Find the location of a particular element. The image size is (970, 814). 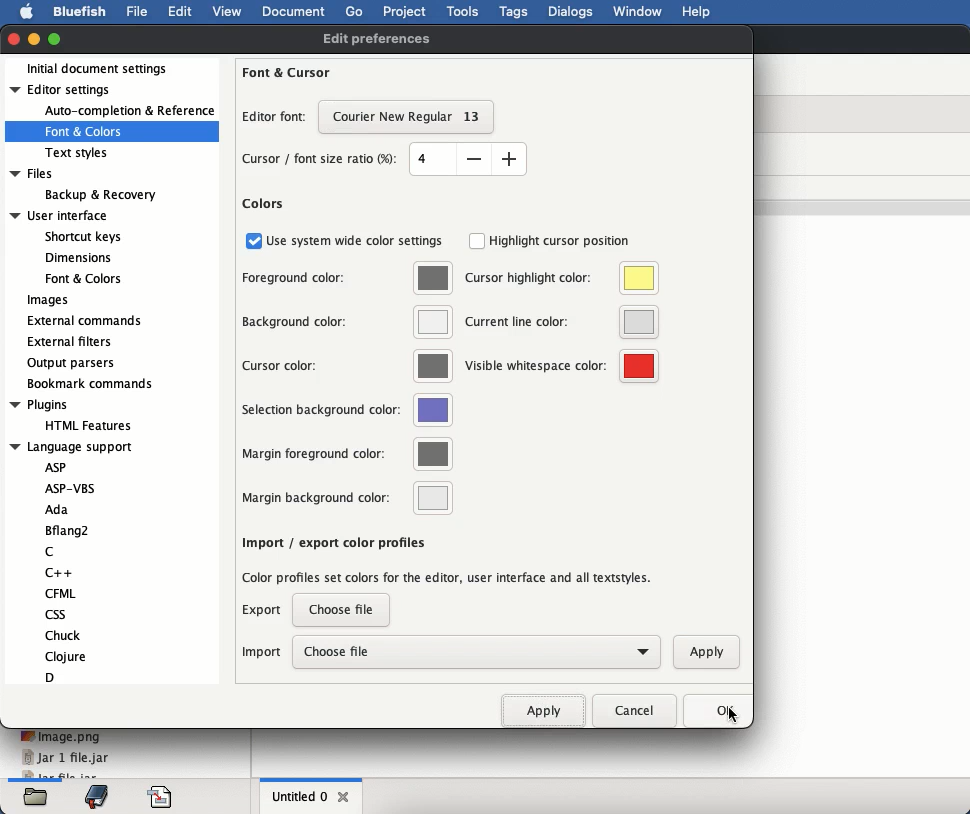

cancel is located at coordinates (632, 710).